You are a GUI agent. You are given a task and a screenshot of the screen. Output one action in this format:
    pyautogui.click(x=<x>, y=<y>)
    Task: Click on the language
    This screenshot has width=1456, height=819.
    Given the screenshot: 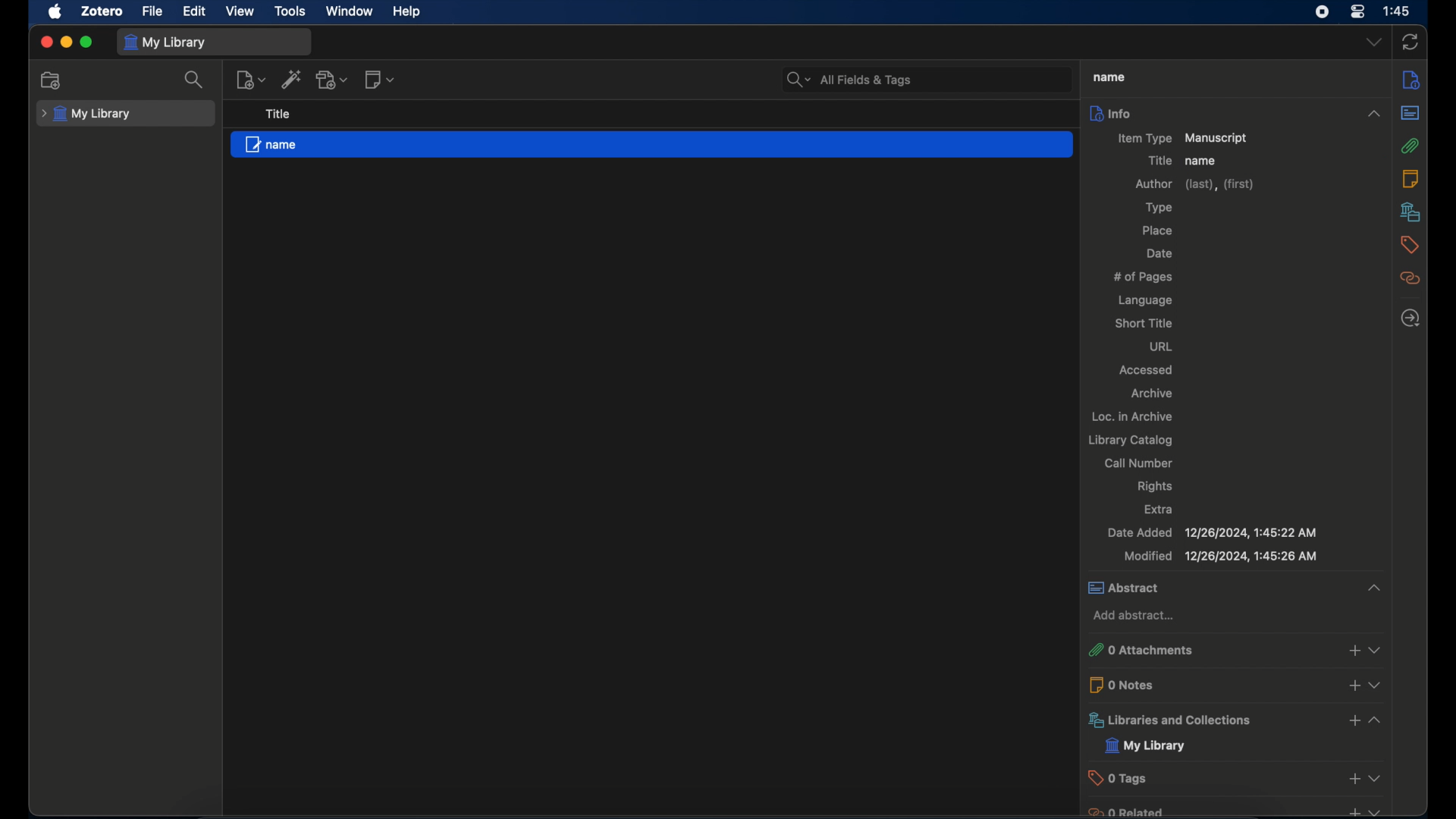 What is the action you would take?
    pyautogui.click(x=1146, y=300)
    